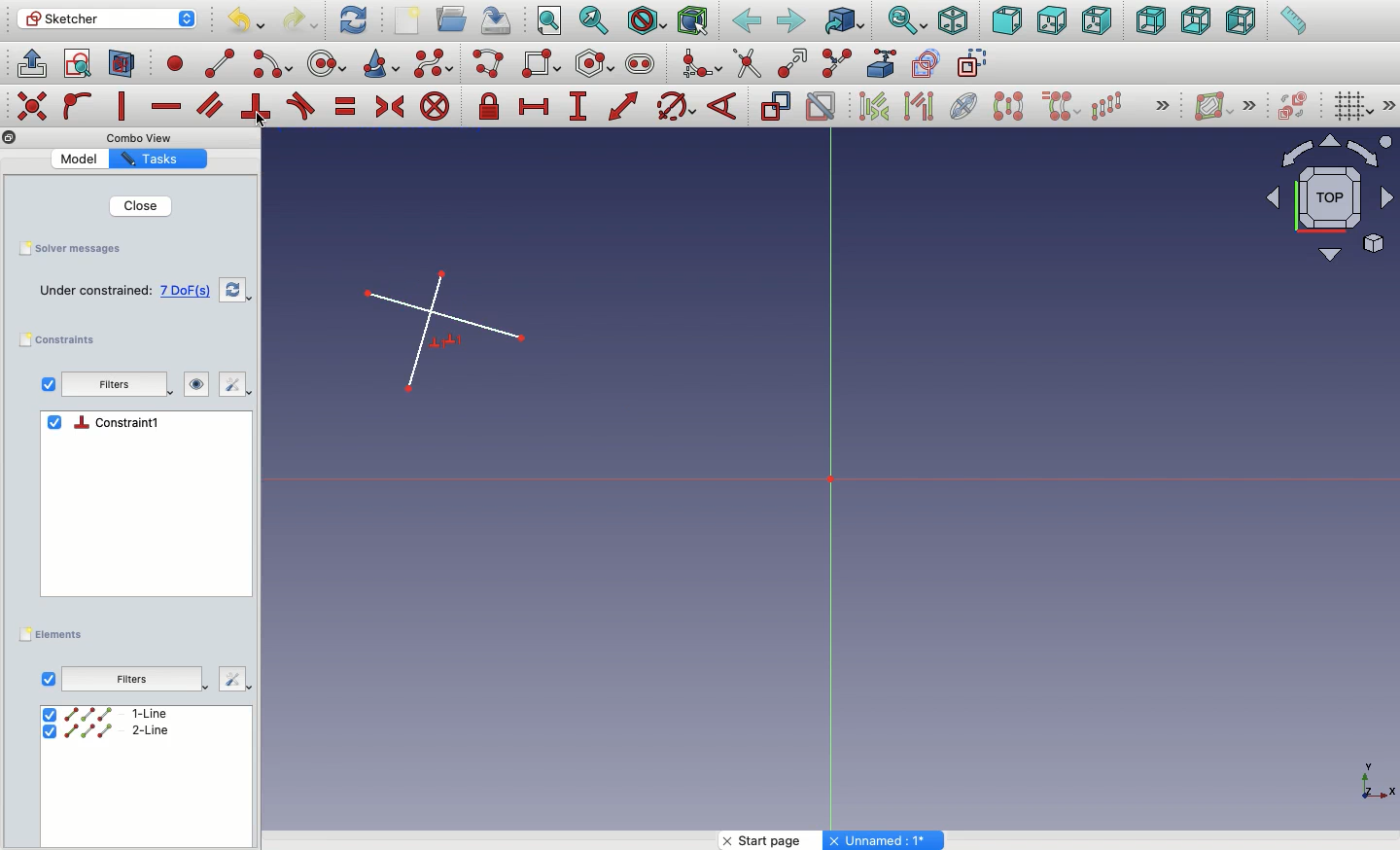  What do you see at coordinates (492, 106) in the screenshot?
I see `Constrain lock` at bounding box center [492, 106].